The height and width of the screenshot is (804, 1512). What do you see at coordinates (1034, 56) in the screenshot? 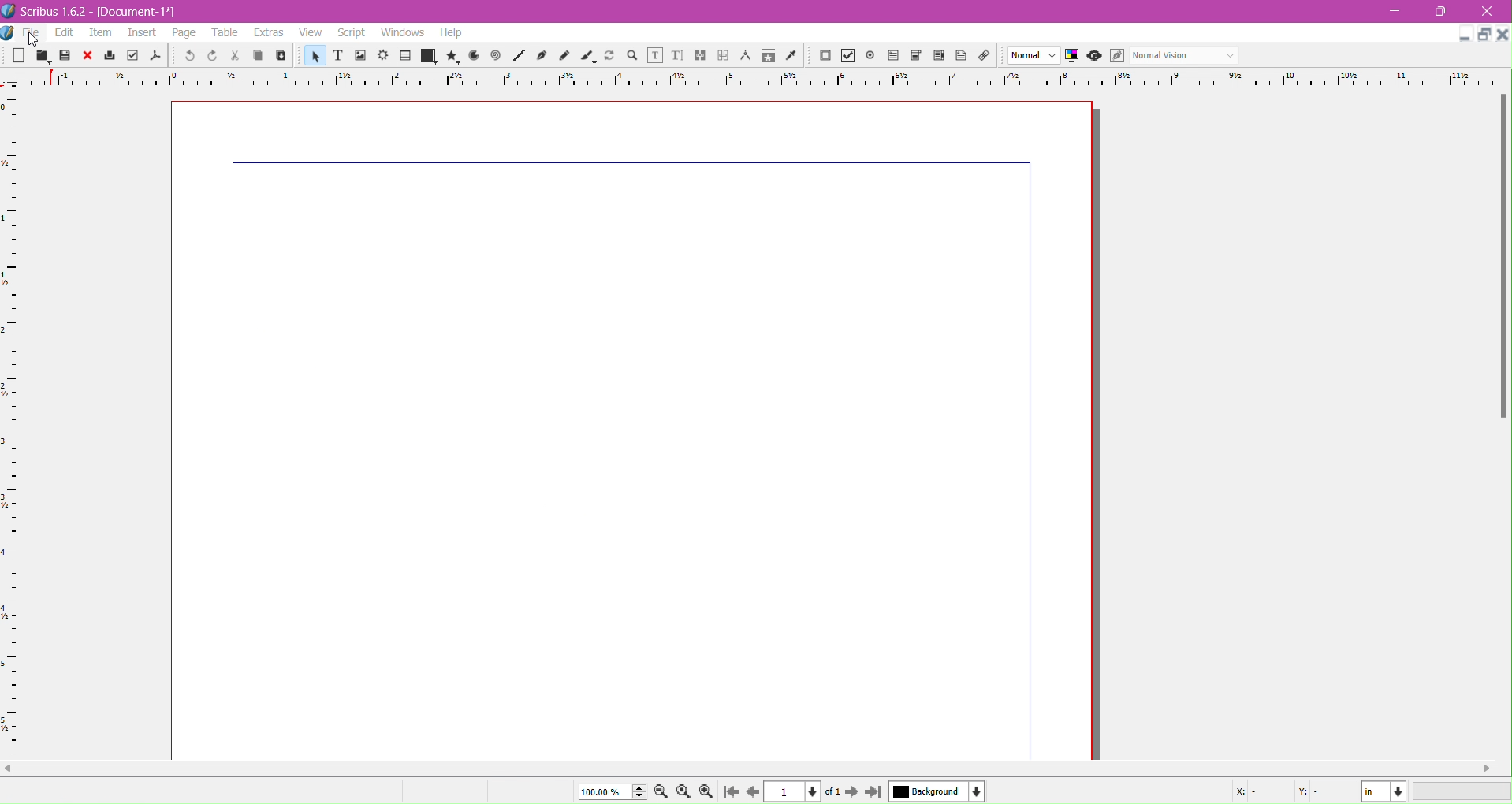
I see `image preview quality` at bounding box center [1034, 56].